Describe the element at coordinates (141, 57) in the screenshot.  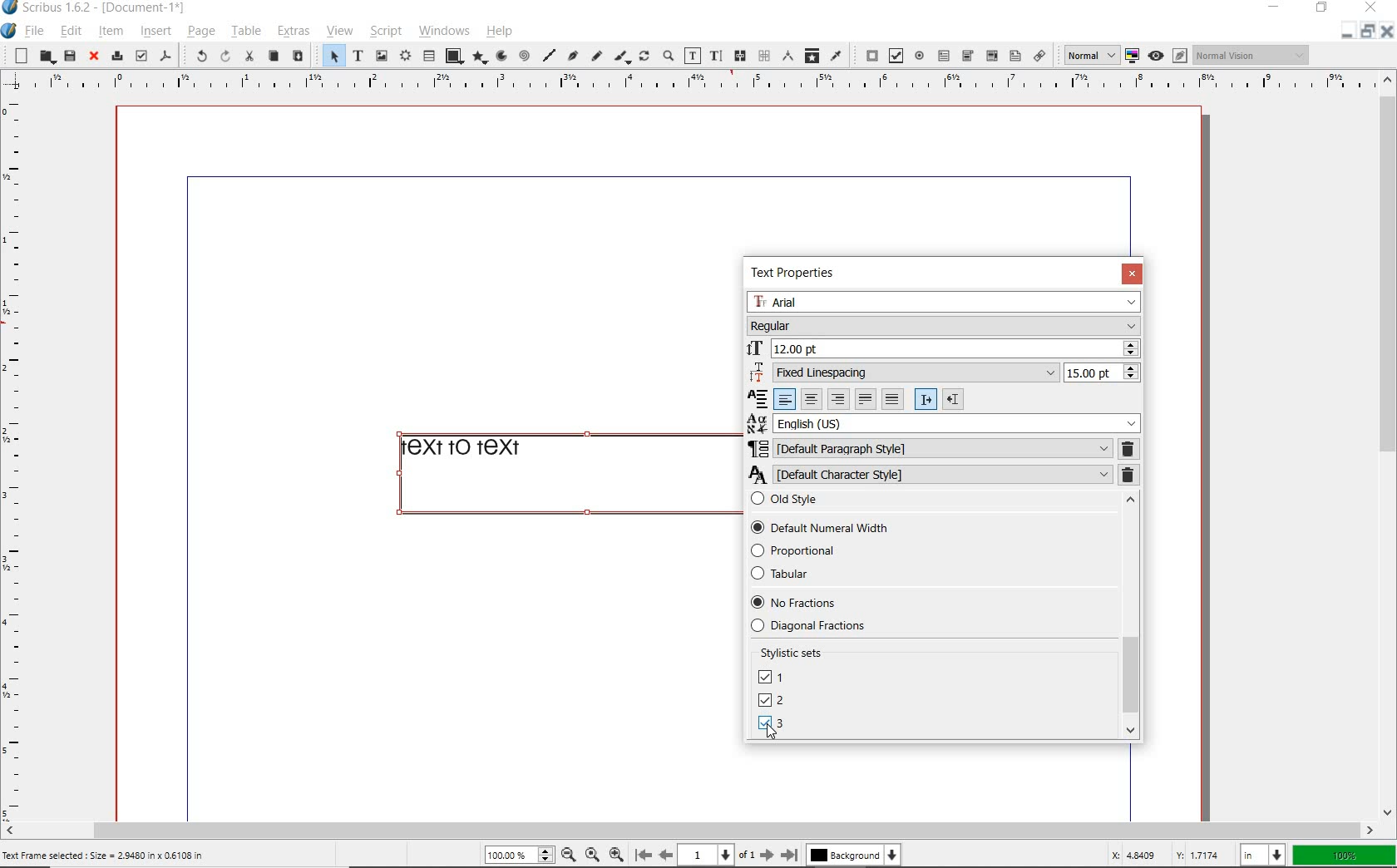
I see `preflight verifier` at that location.